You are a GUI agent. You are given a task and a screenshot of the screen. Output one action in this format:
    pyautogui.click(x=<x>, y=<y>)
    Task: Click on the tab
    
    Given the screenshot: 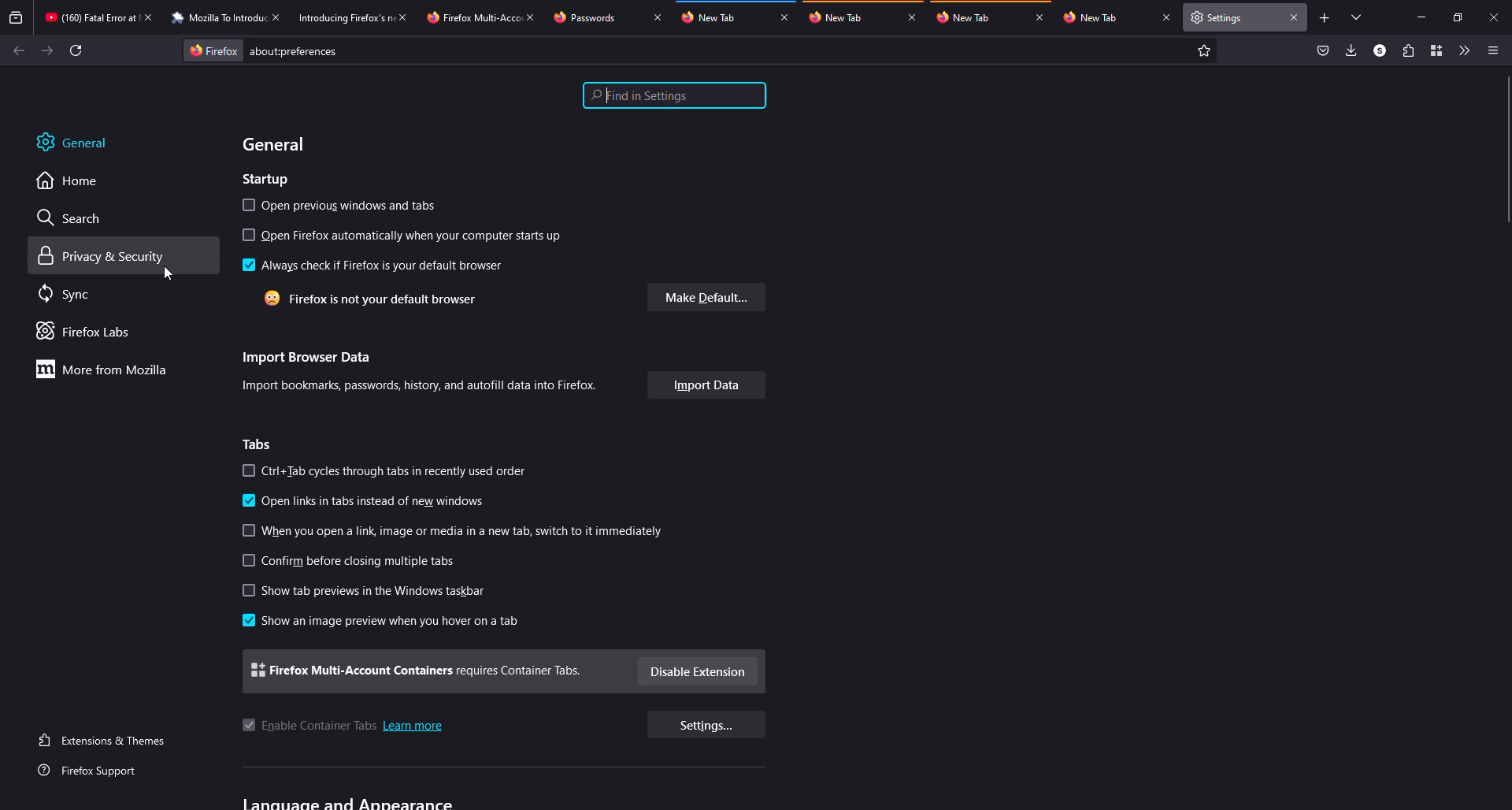 What is the action you would take?
    pyautogui.click(x=345, y=18)
    